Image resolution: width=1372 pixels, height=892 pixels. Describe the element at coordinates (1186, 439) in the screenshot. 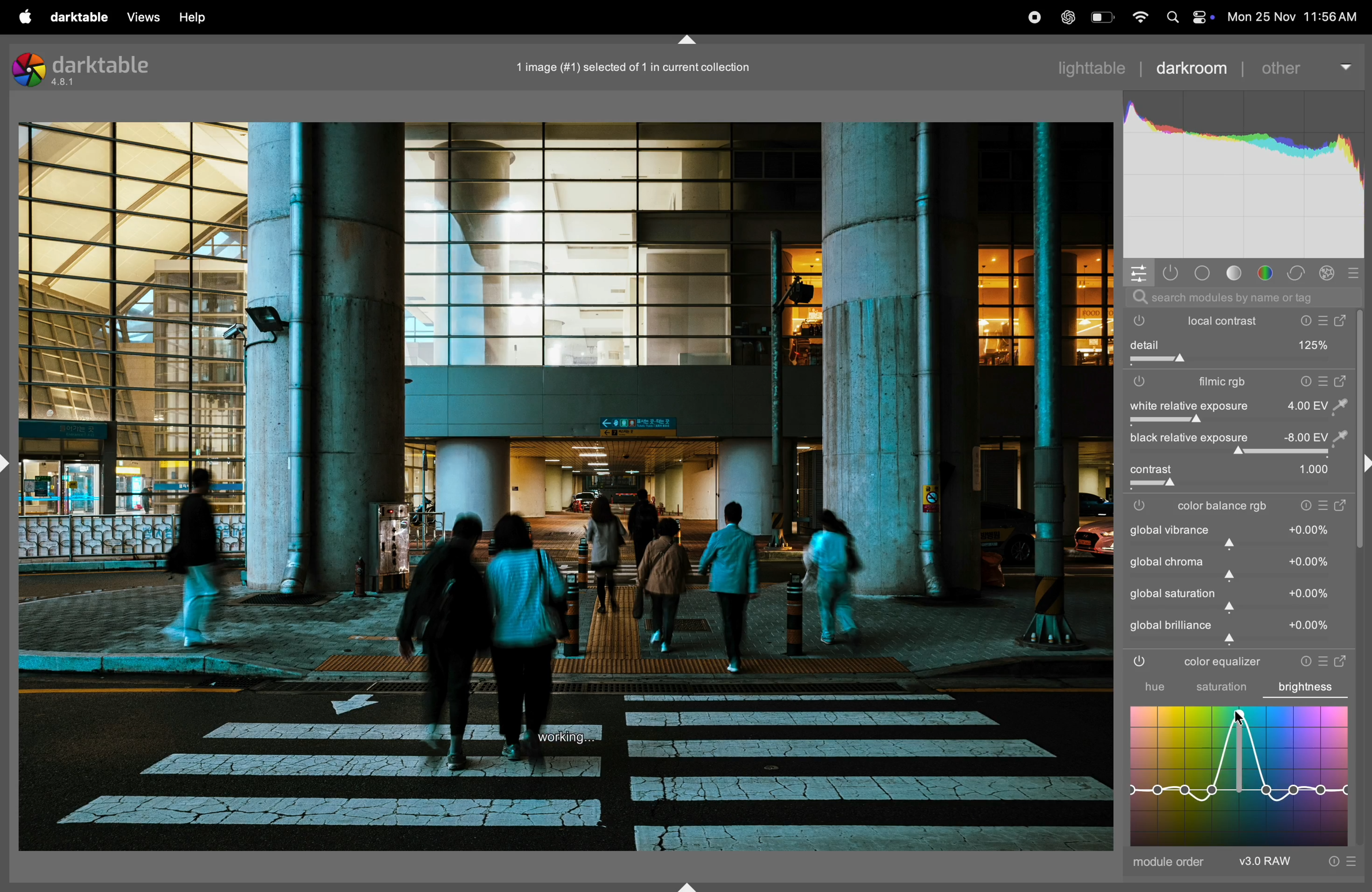

I see `black relavtive exposure` at that location.